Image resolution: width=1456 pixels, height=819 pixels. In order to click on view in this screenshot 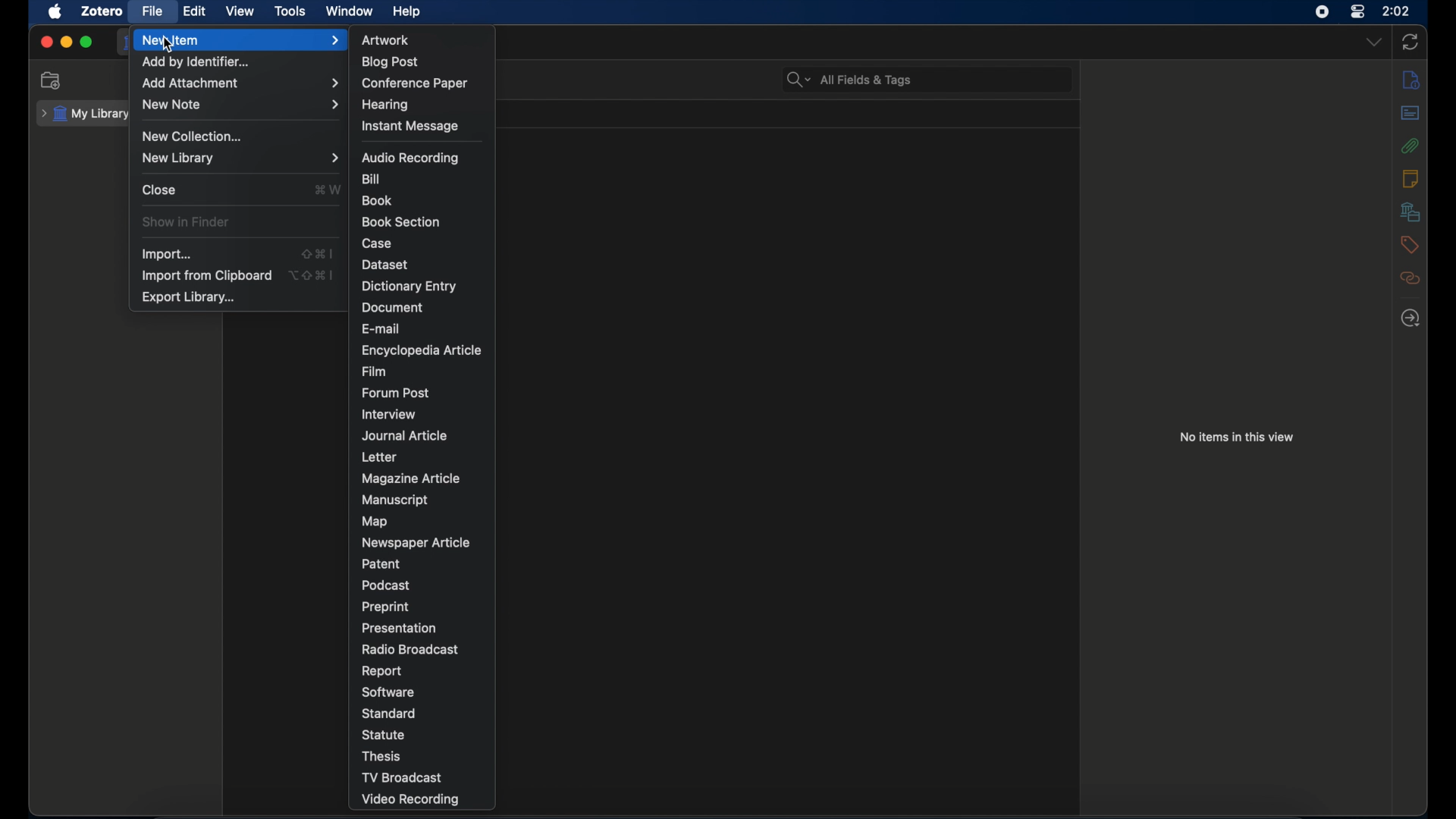, I will do `click(241, 11)`.